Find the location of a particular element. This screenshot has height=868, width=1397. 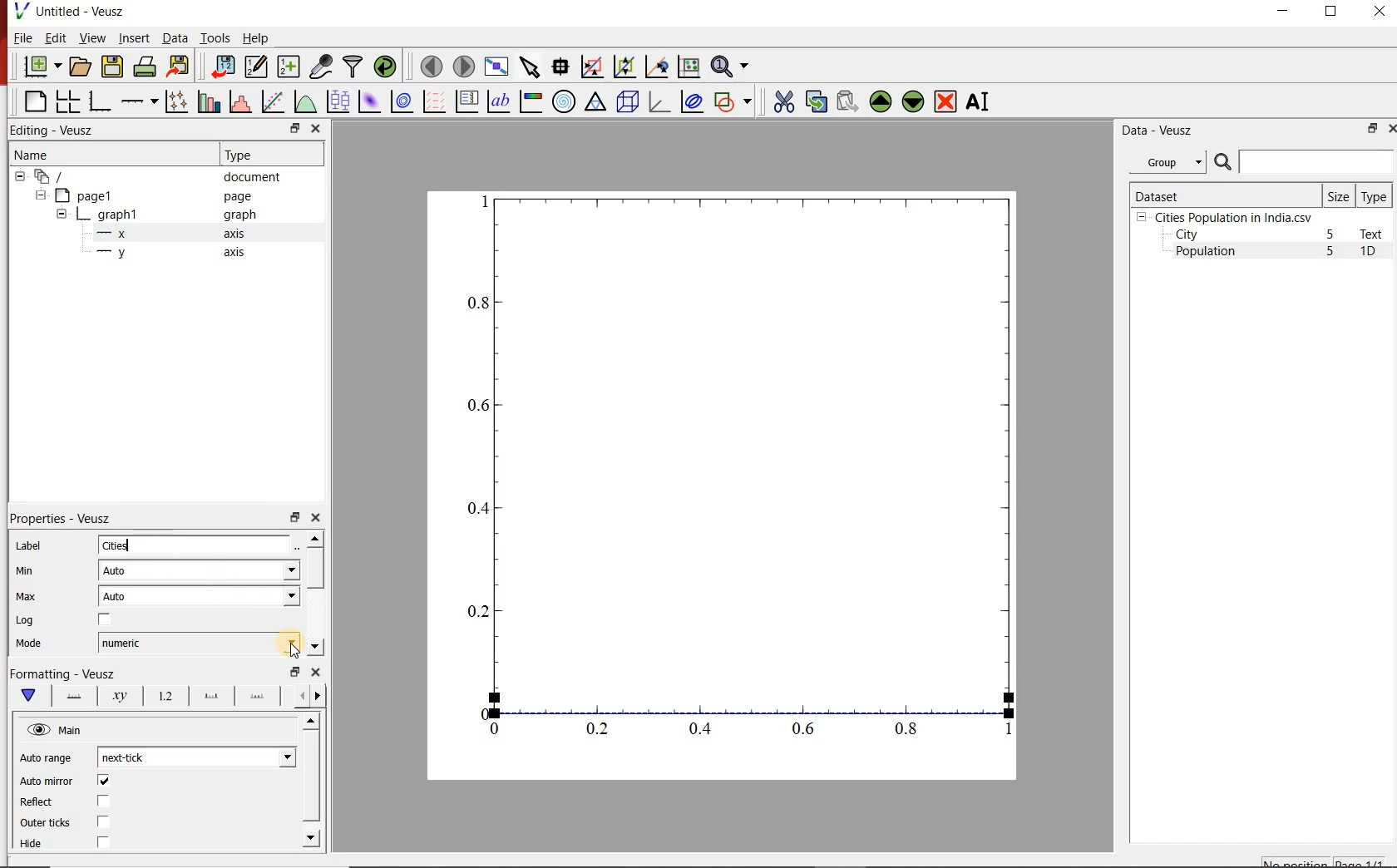

view plot full screen is located at coordinates (496, 67).